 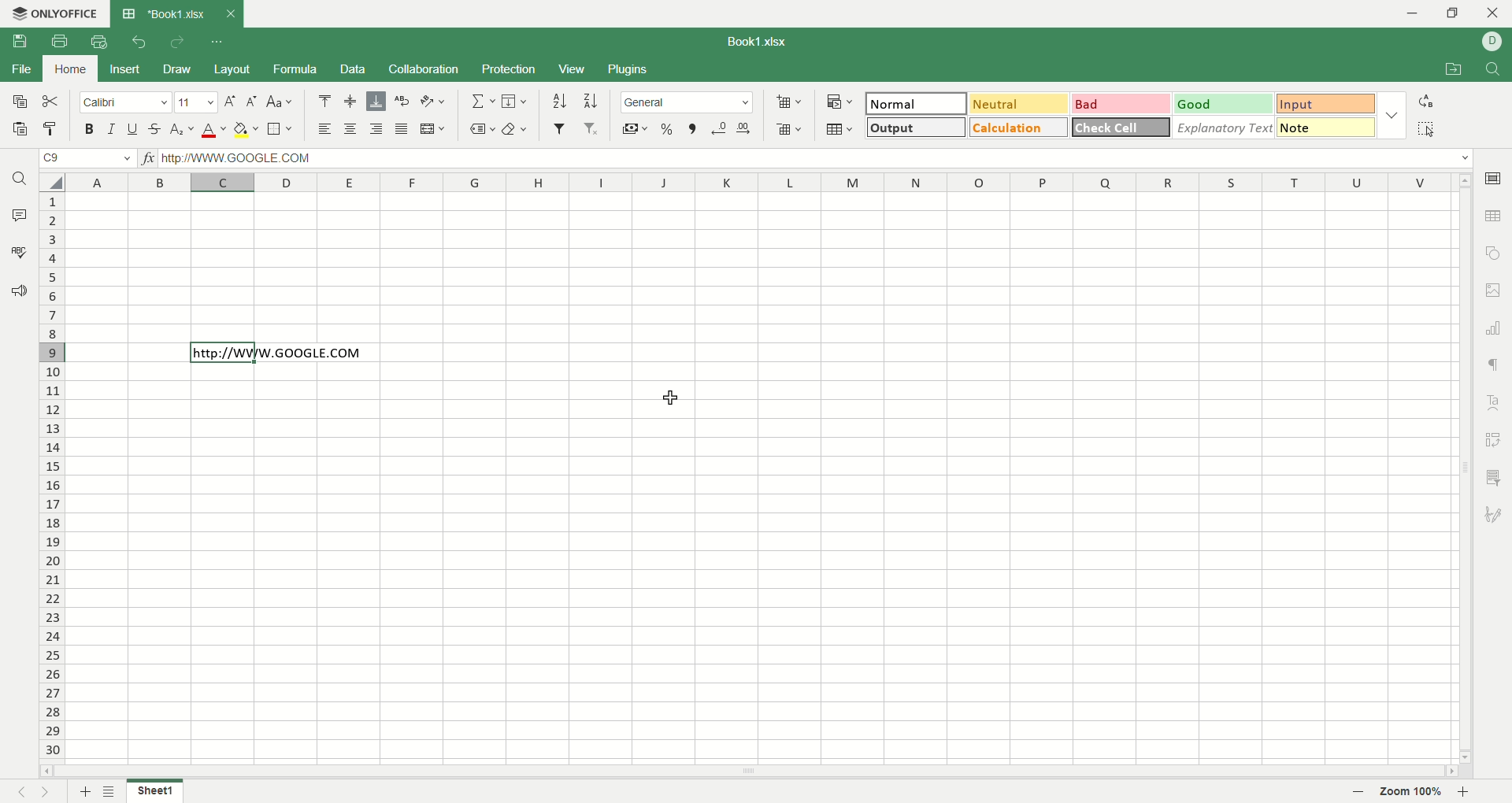 I want to click on sort ascending, so click(x=559, y=100).